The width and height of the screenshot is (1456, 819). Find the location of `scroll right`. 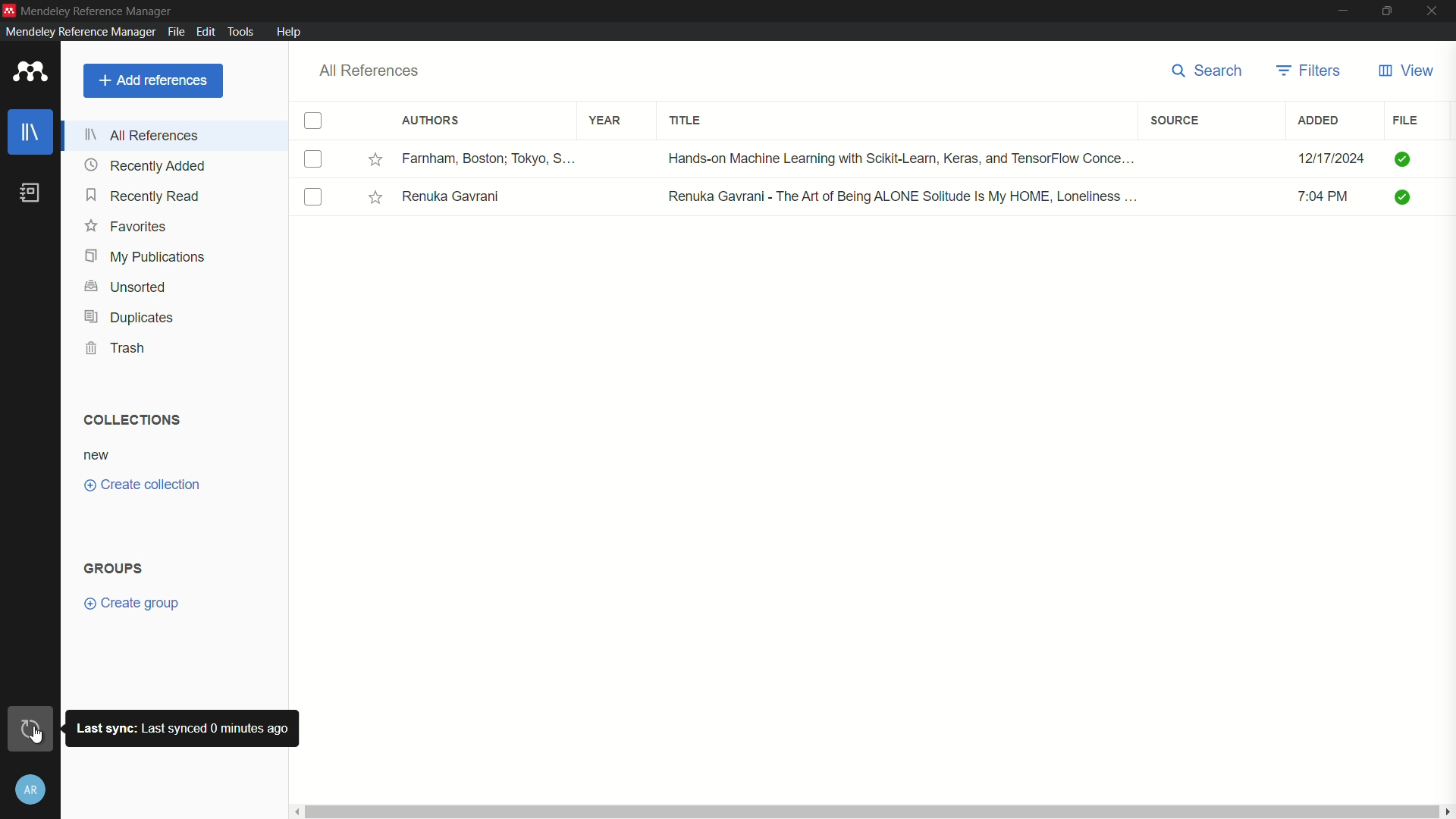

scroll right is located at coordinates (1447, 811).